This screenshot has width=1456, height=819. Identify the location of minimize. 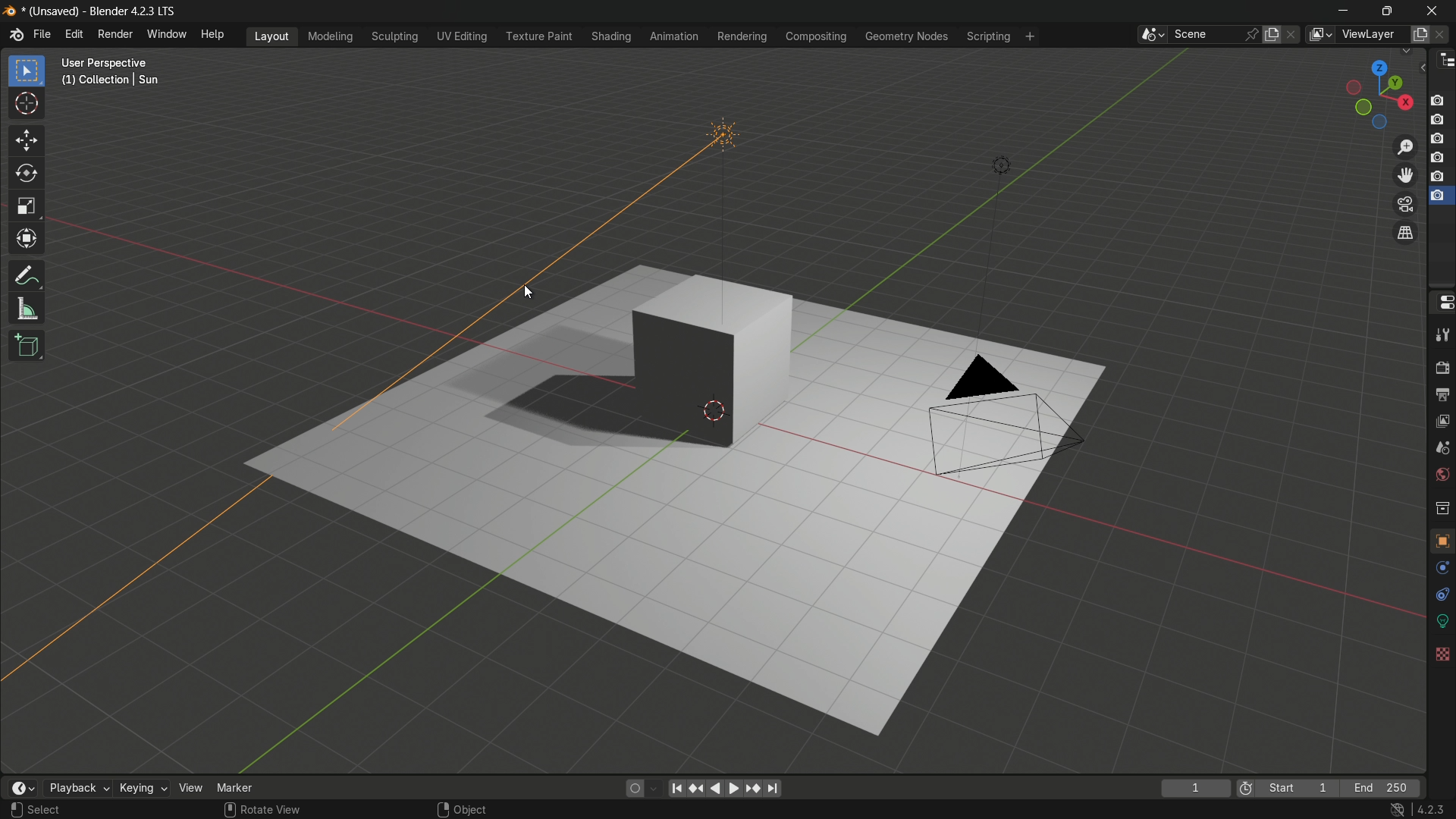
(1343, 9).